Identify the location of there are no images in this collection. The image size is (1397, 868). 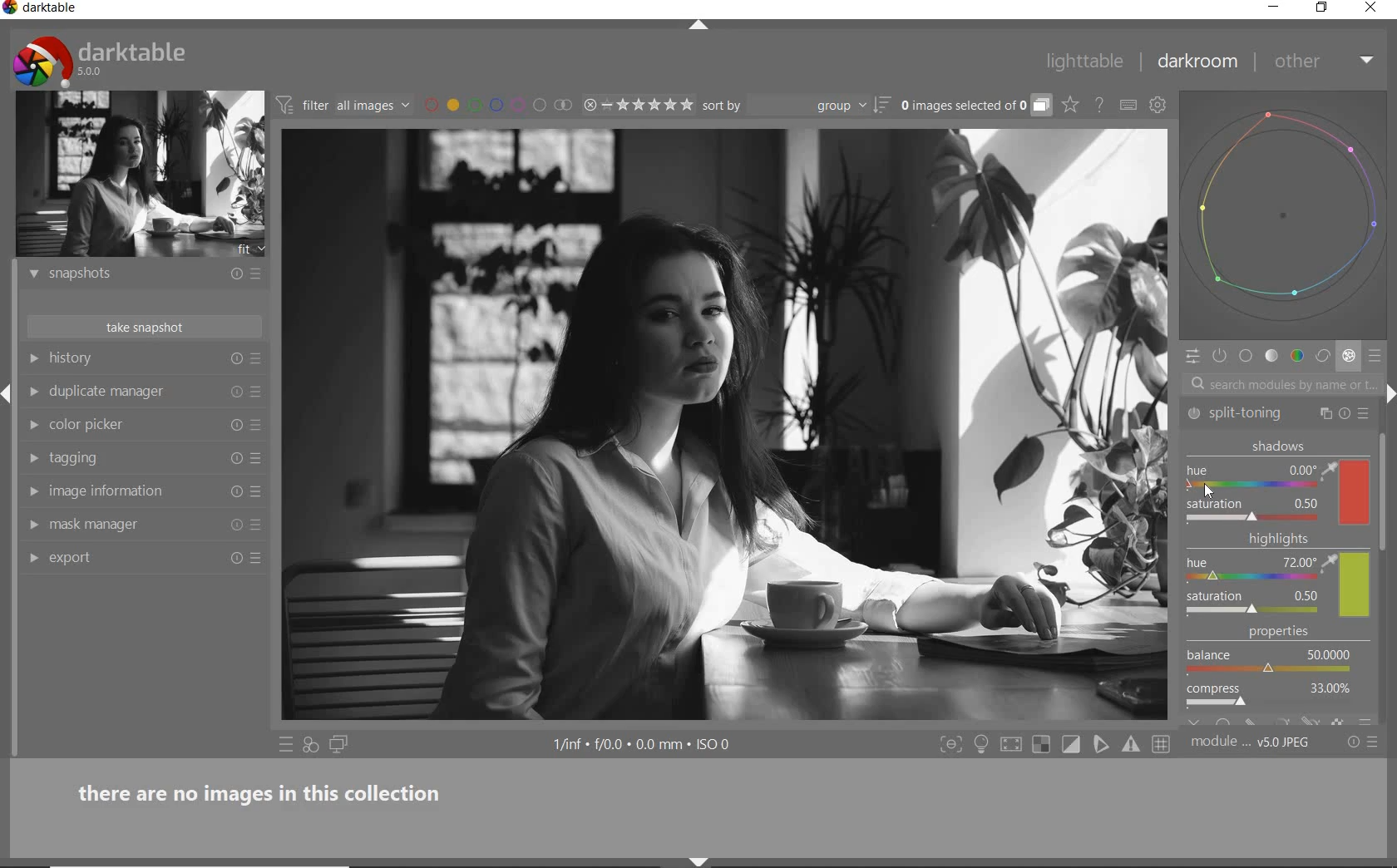
(269, 791).